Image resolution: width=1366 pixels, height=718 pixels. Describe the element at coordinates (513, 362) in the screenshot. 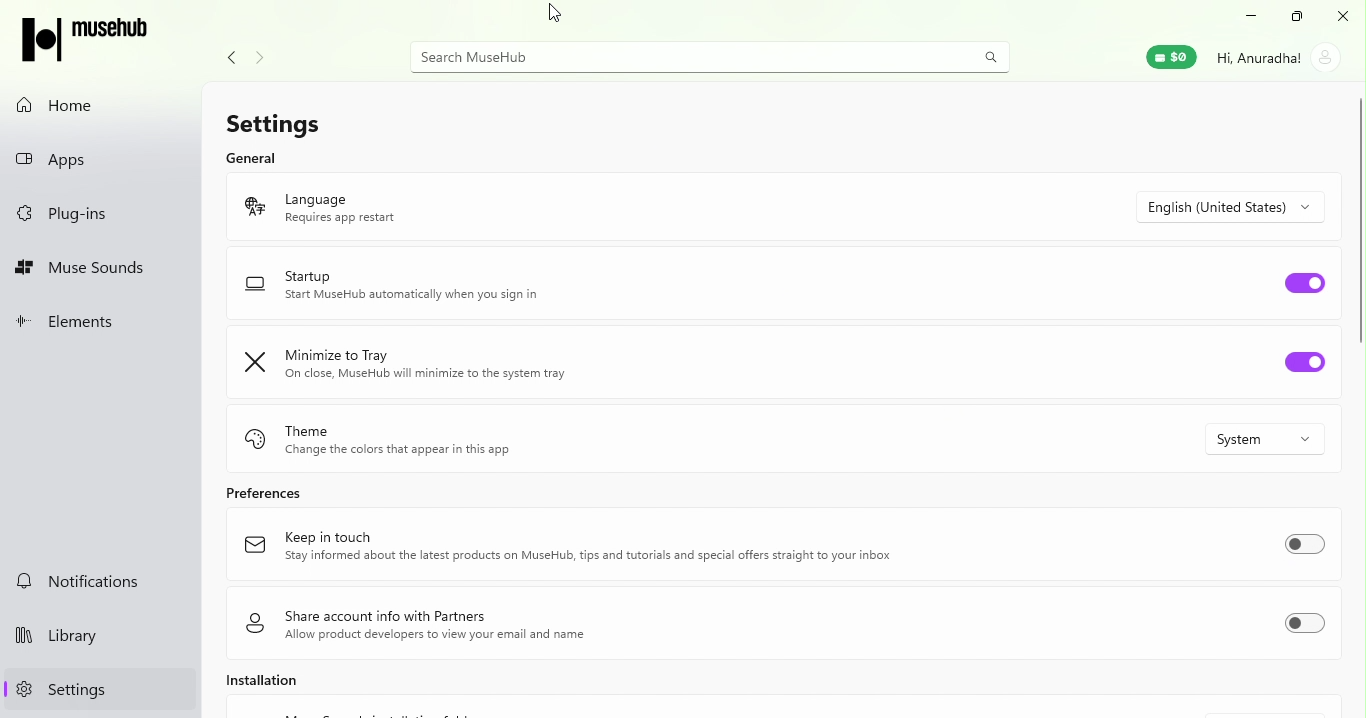

I see `Minimize to tray` at that location.